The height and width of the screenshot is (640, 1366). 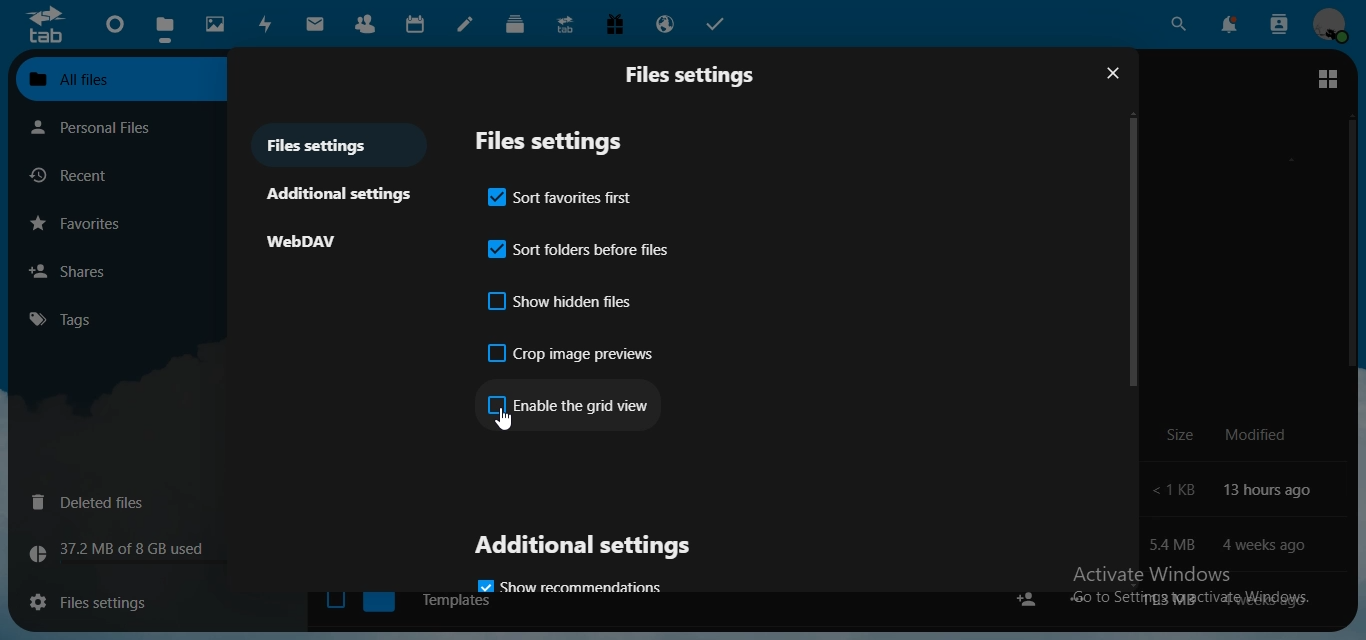 What do you see at coordinates (107, 78) in the screenshot?
I see `all files` at bounding box center [107, 78].